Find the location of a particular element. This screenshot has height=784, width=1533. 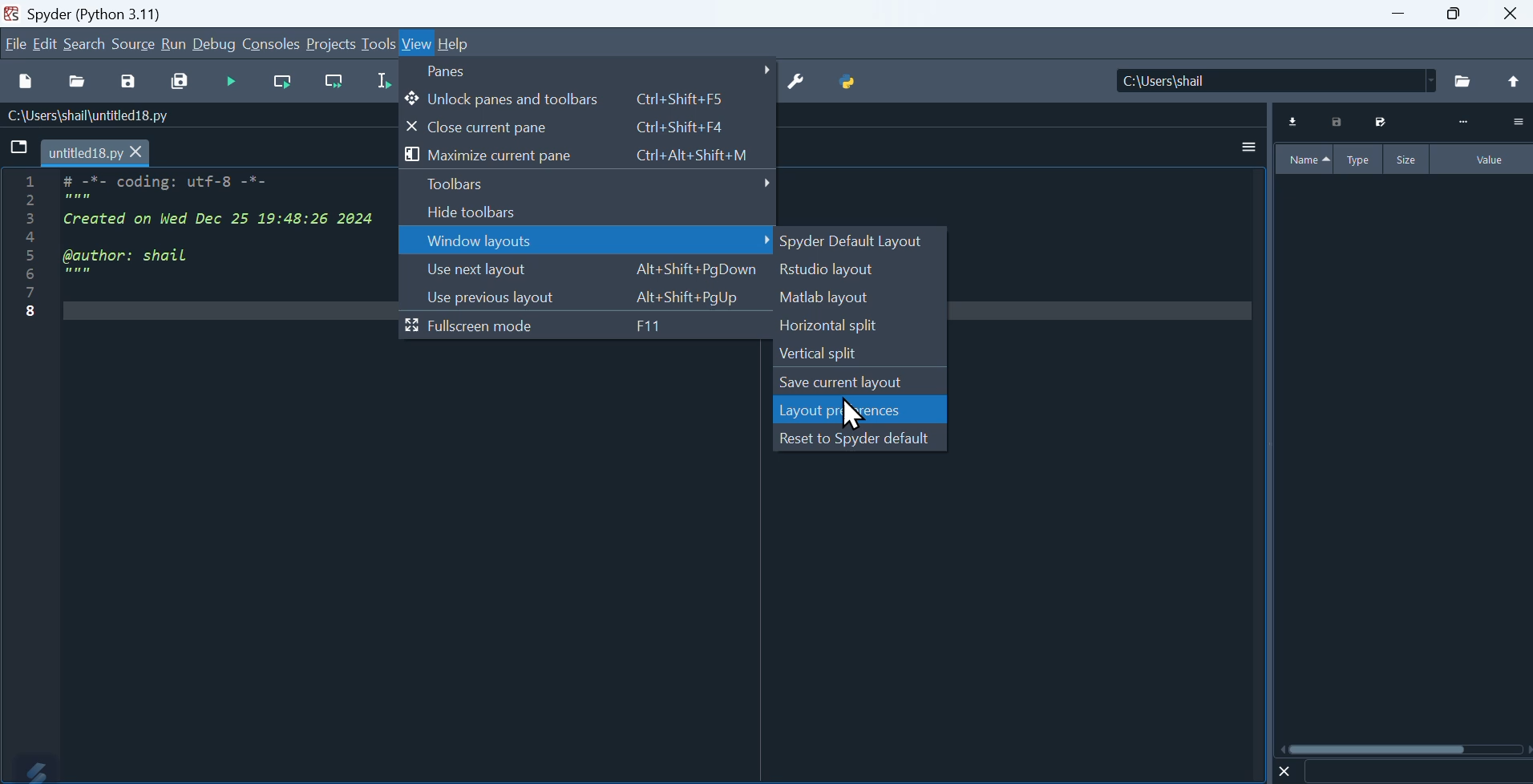

Logo is located at coordinates (30, 769).